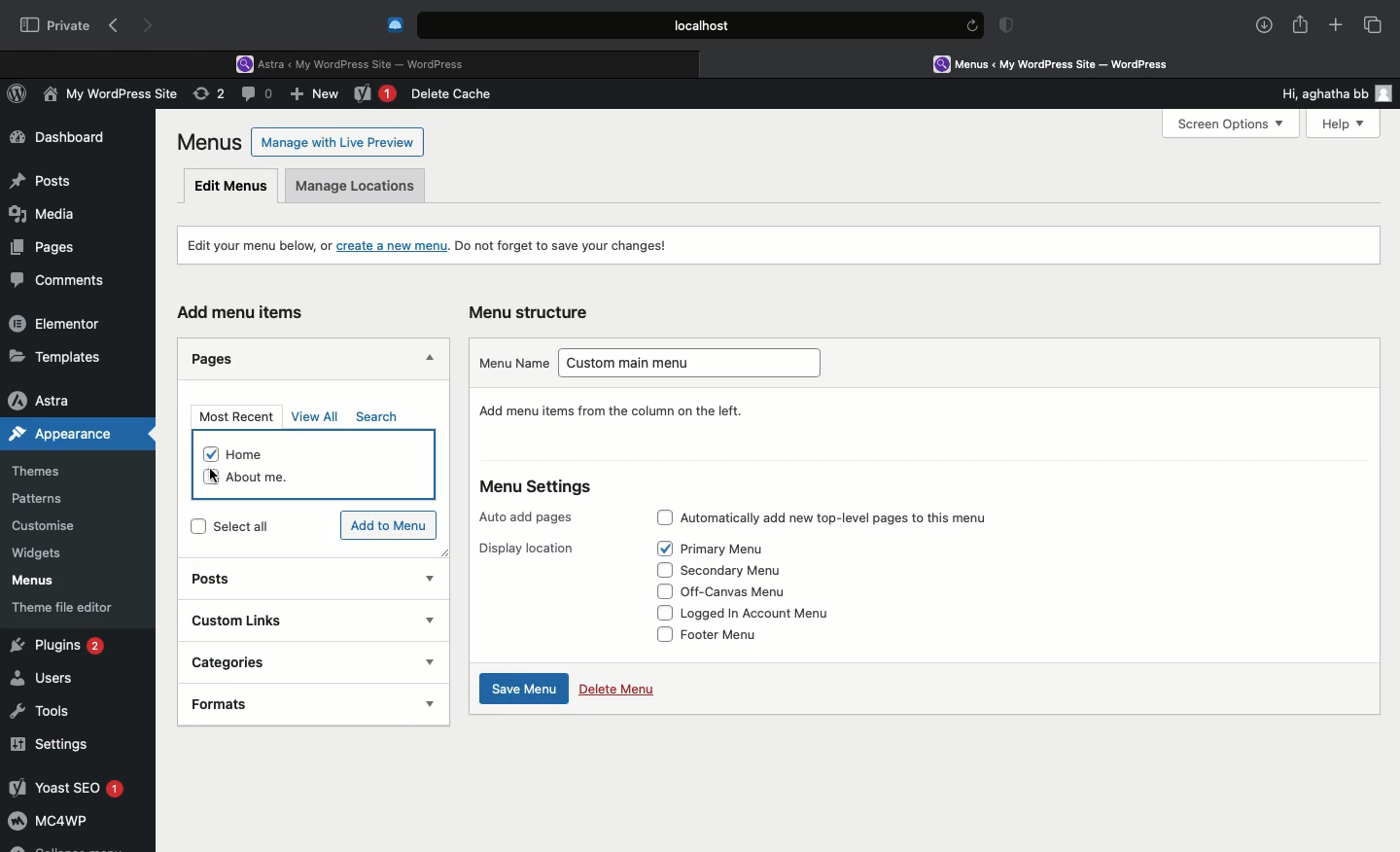 The height and width of the screenshot is (852, 1400). Describe the element at coordinates (660, 634) in the screenshot. I see `Check box` at that location.